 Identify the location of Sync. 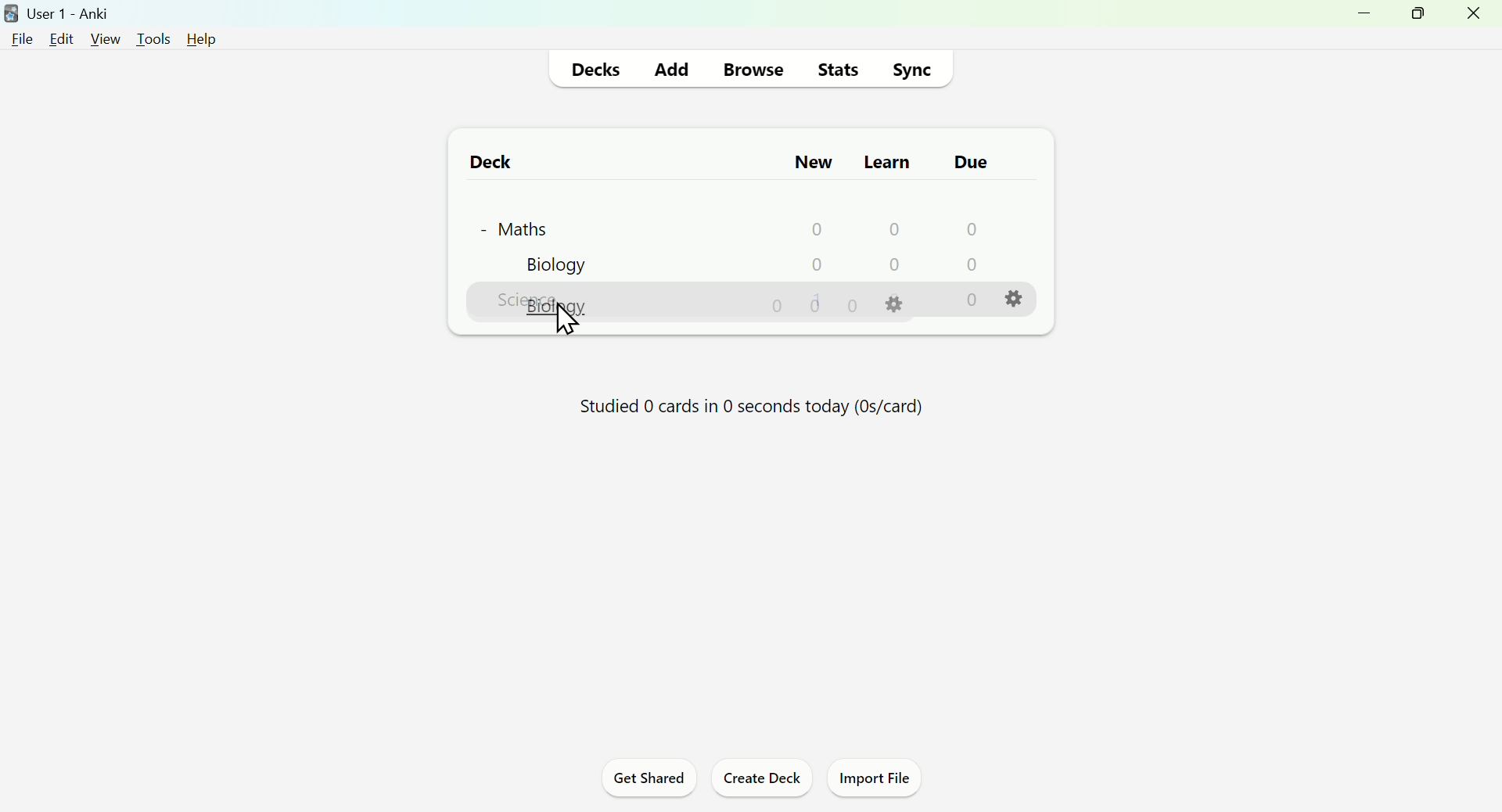
(916, 67).